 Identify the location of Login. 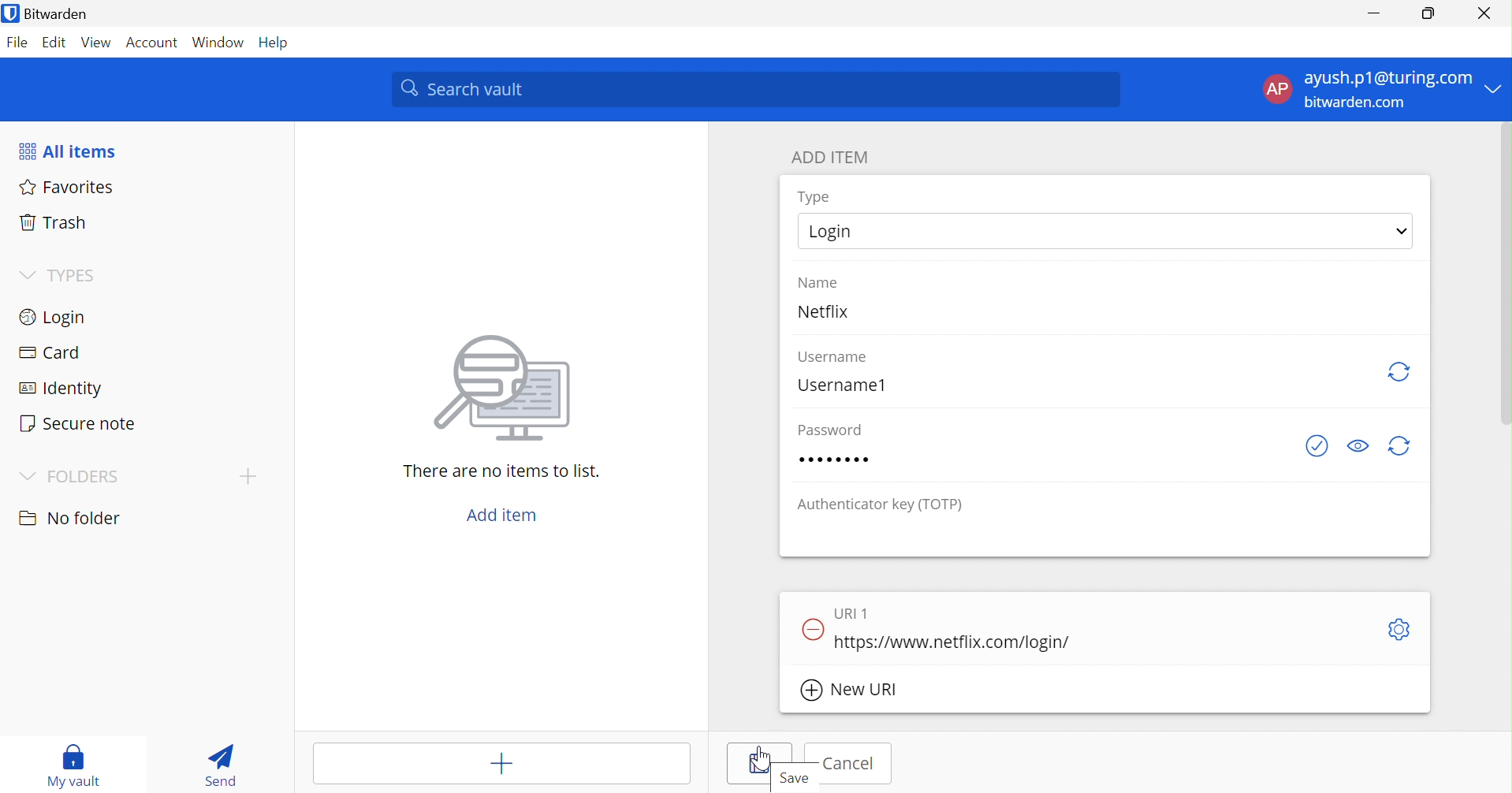
(56, 316).